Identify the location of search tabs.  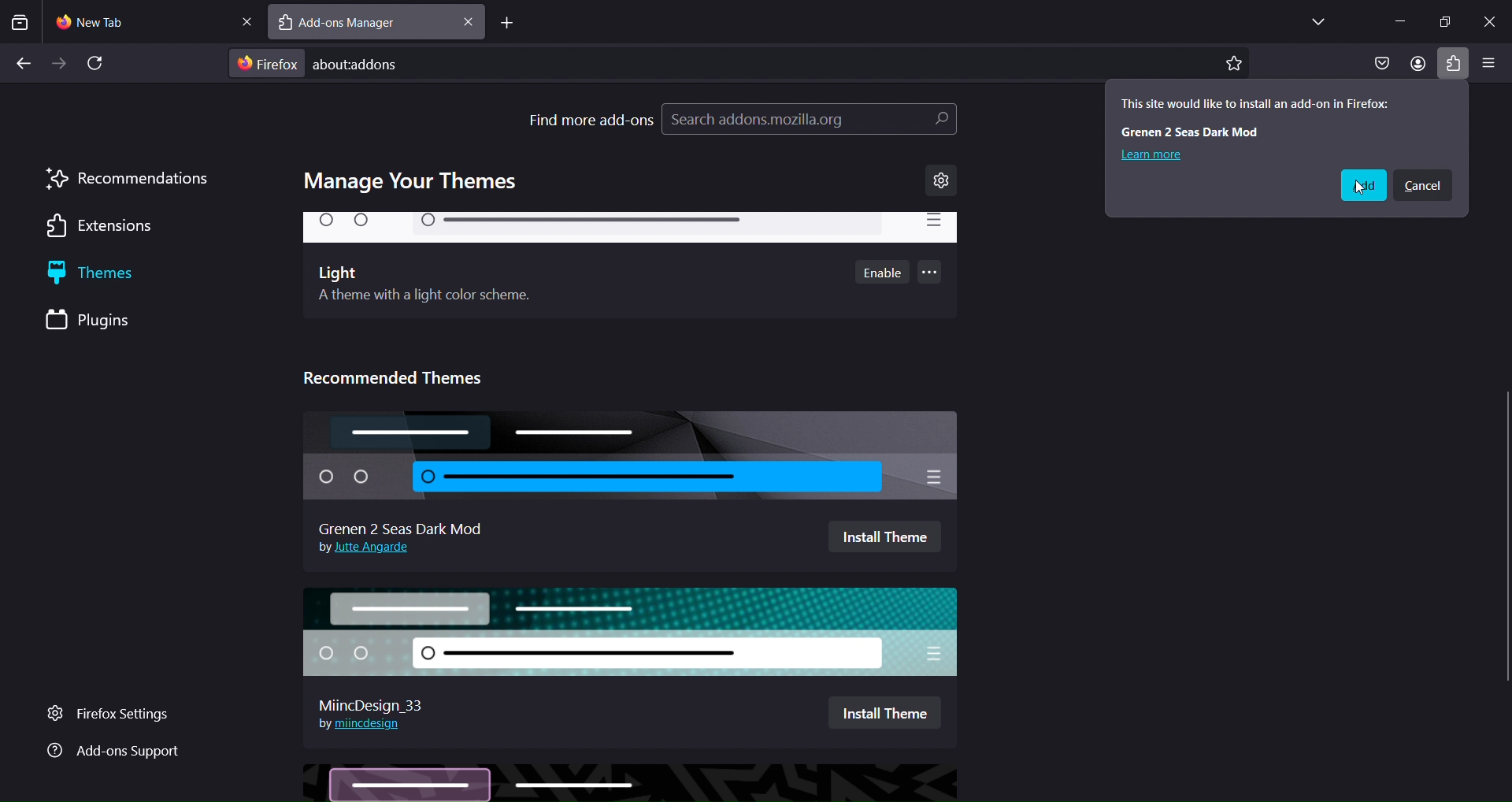
(20, 22).